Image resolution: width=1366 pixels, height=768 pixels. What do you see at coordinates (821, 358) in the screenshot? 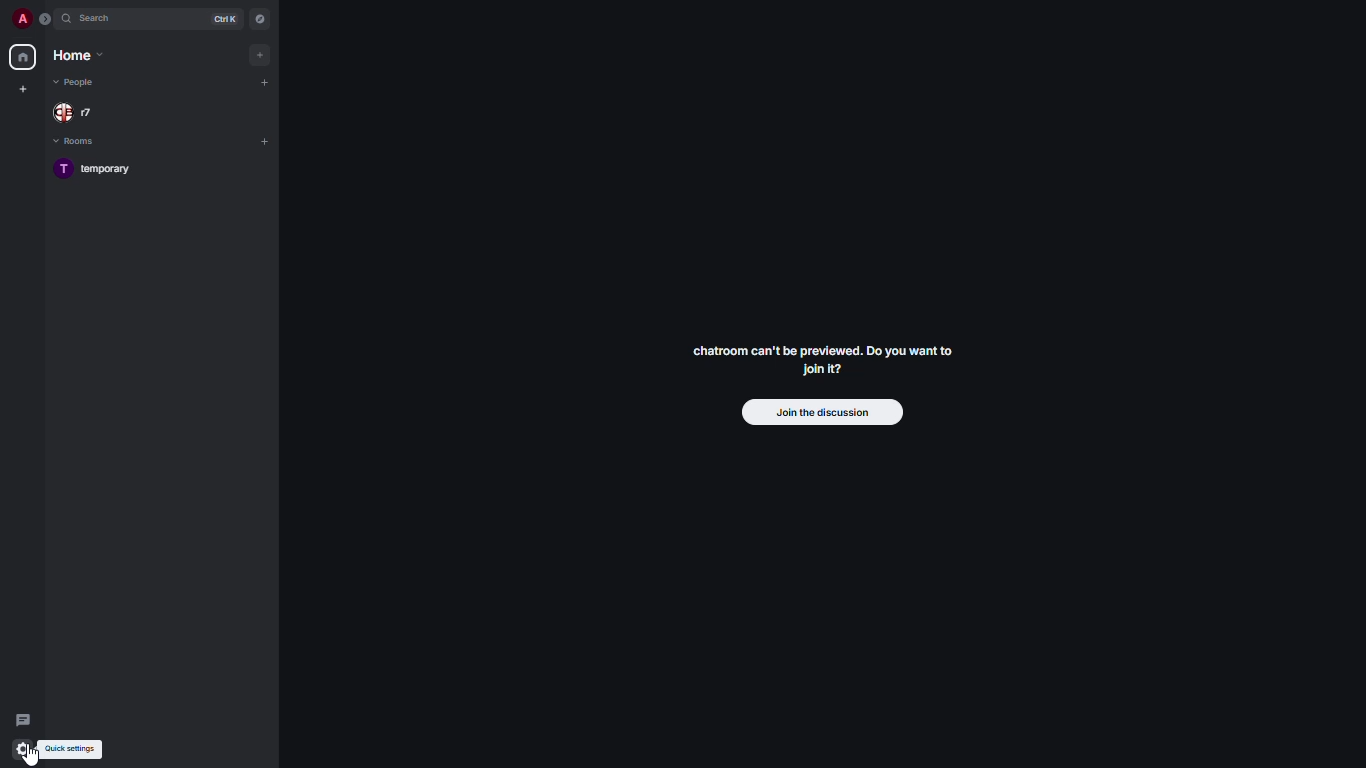
I see `chatroom can't be previewed` at bounding box center [821, 358].